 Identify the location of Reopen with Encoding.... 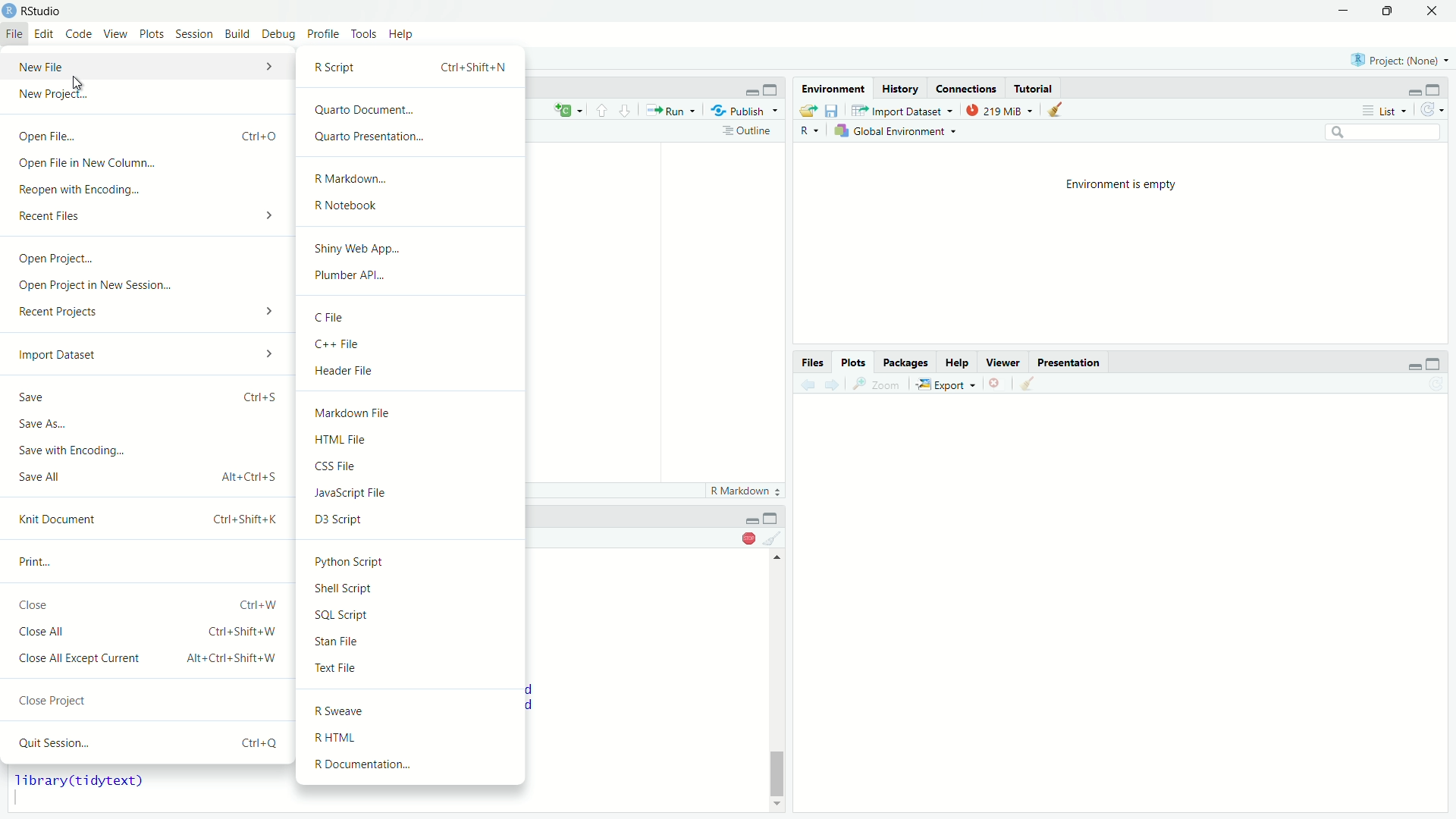
(150, 188).